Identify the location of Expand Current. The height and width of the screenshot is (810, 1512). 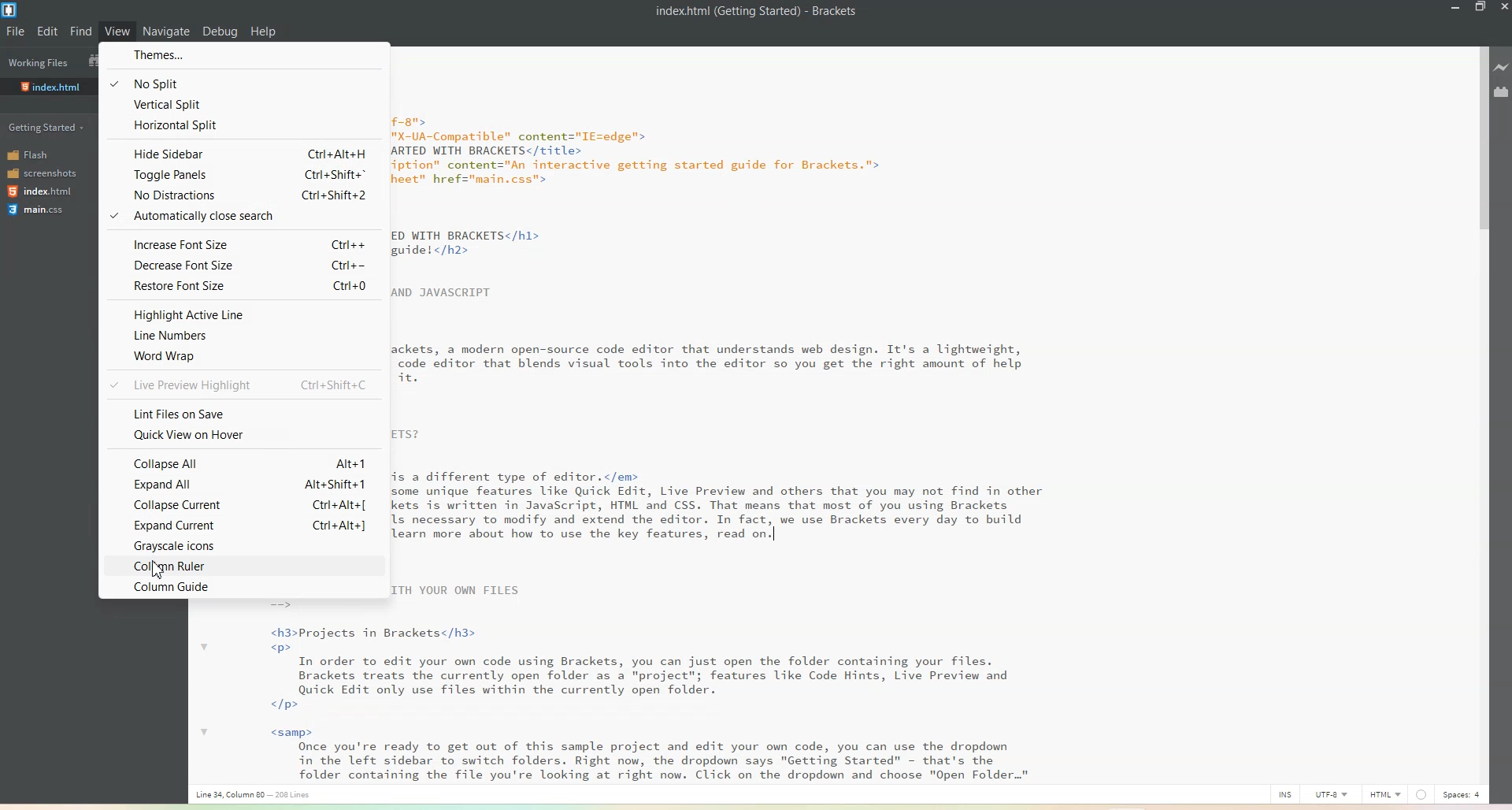
(241, 522).